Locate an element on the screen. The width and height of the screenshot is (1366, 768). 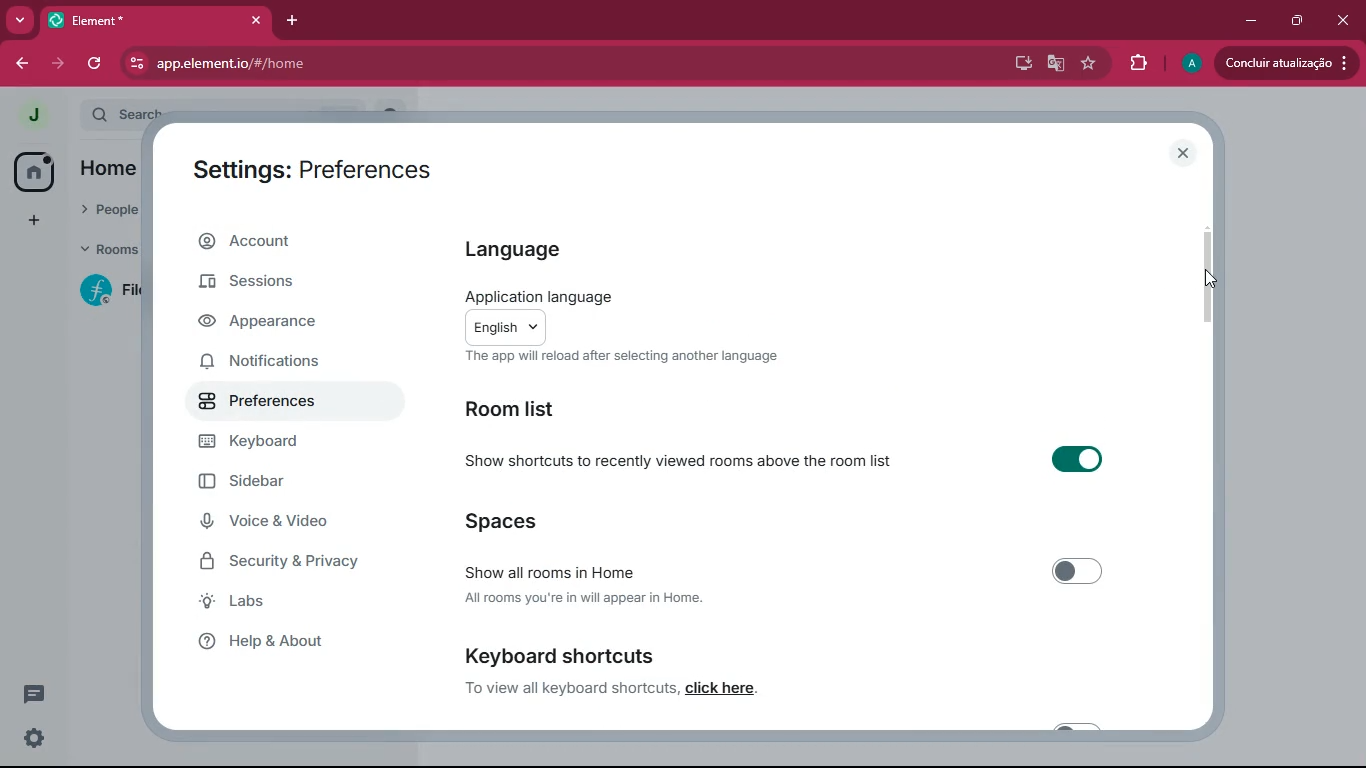
element is located at coordinates (155, 20).